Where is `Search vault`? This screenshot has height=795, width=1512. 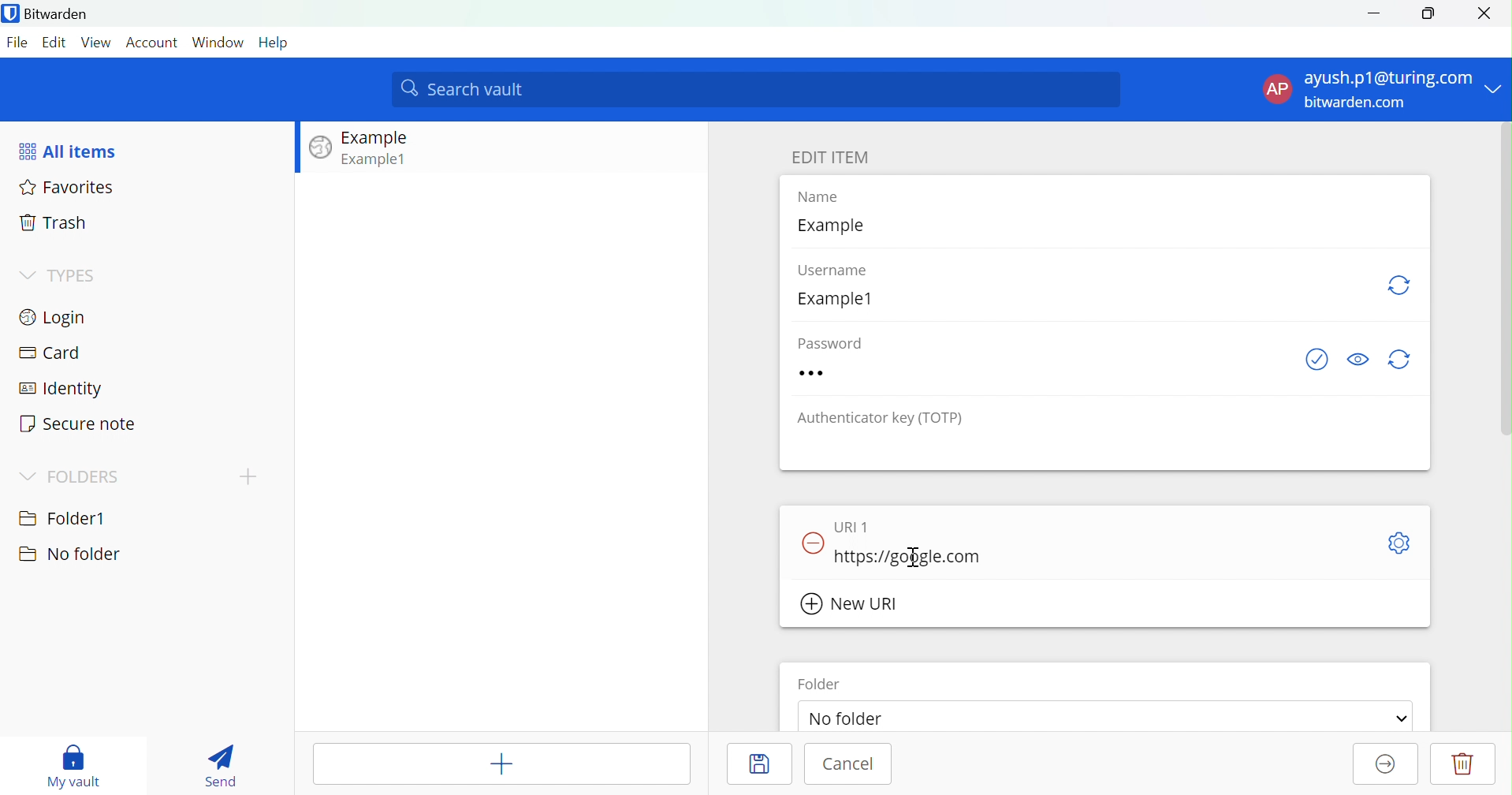 Search vault is located at coordinates (757, 90).